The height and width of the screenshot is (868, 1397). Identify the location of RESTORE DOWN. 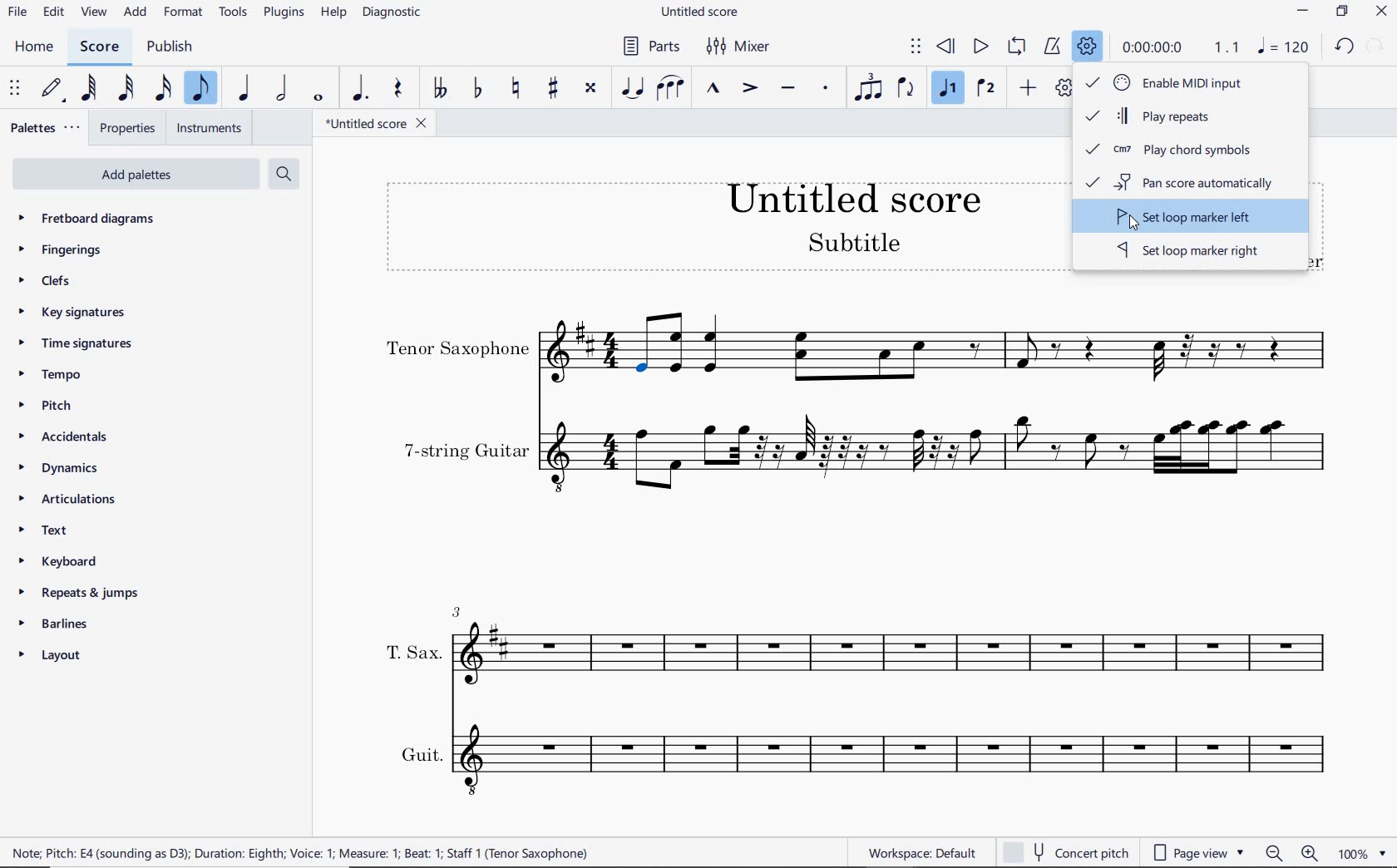
(1345, 12).